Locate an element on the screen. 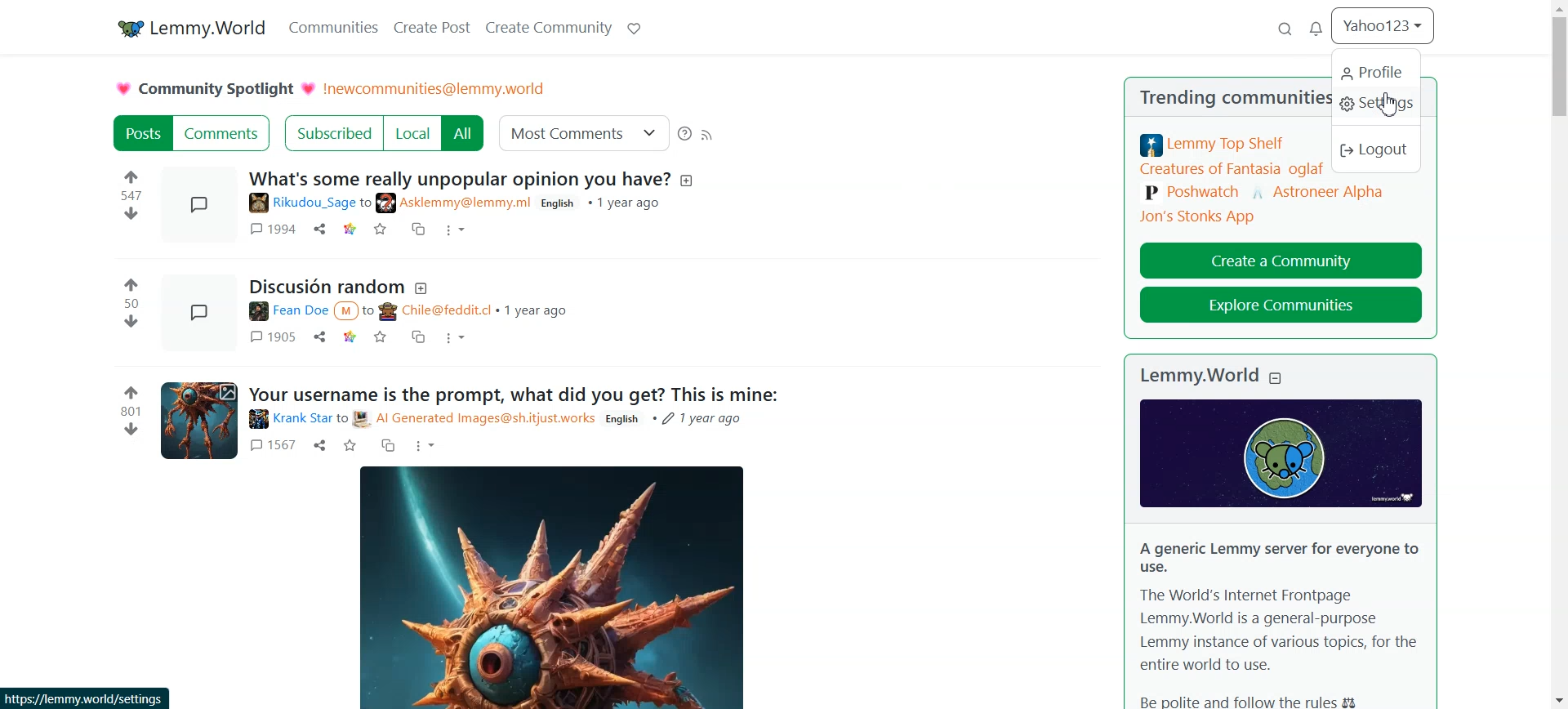  link is located at coordinates (350, 230).